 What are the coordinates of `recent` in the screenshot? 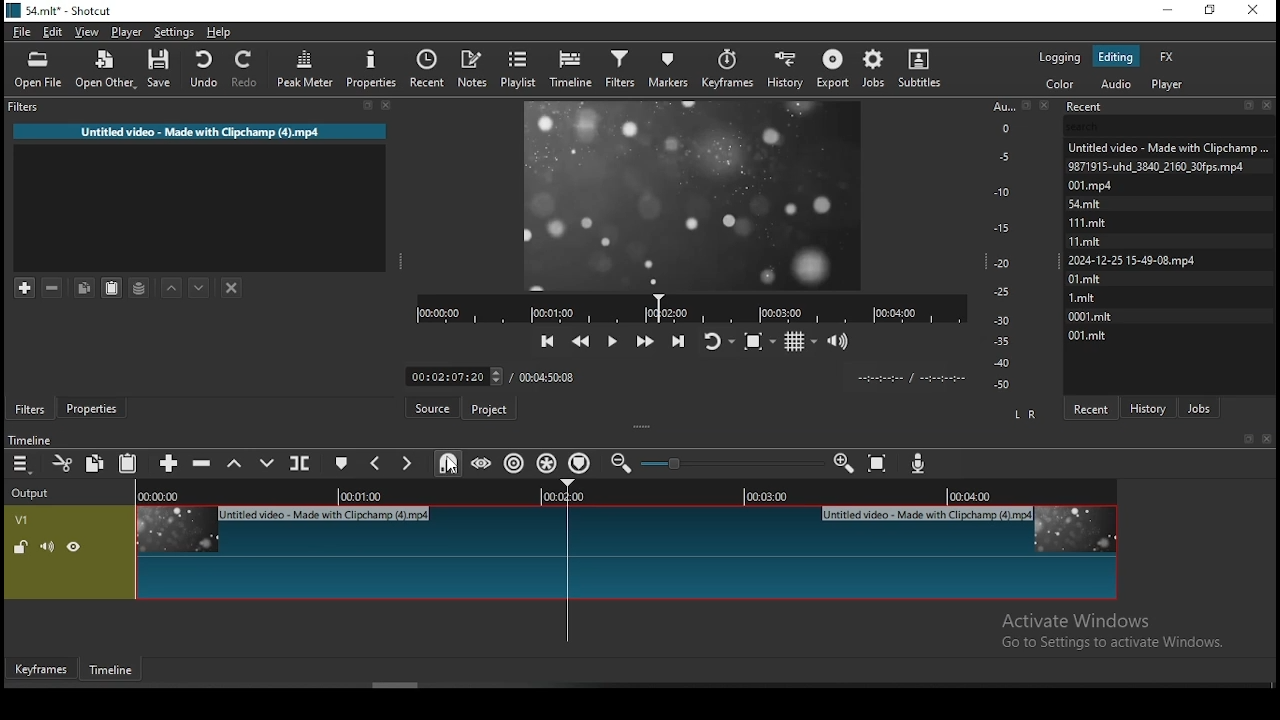 It's located at (1095, 407).